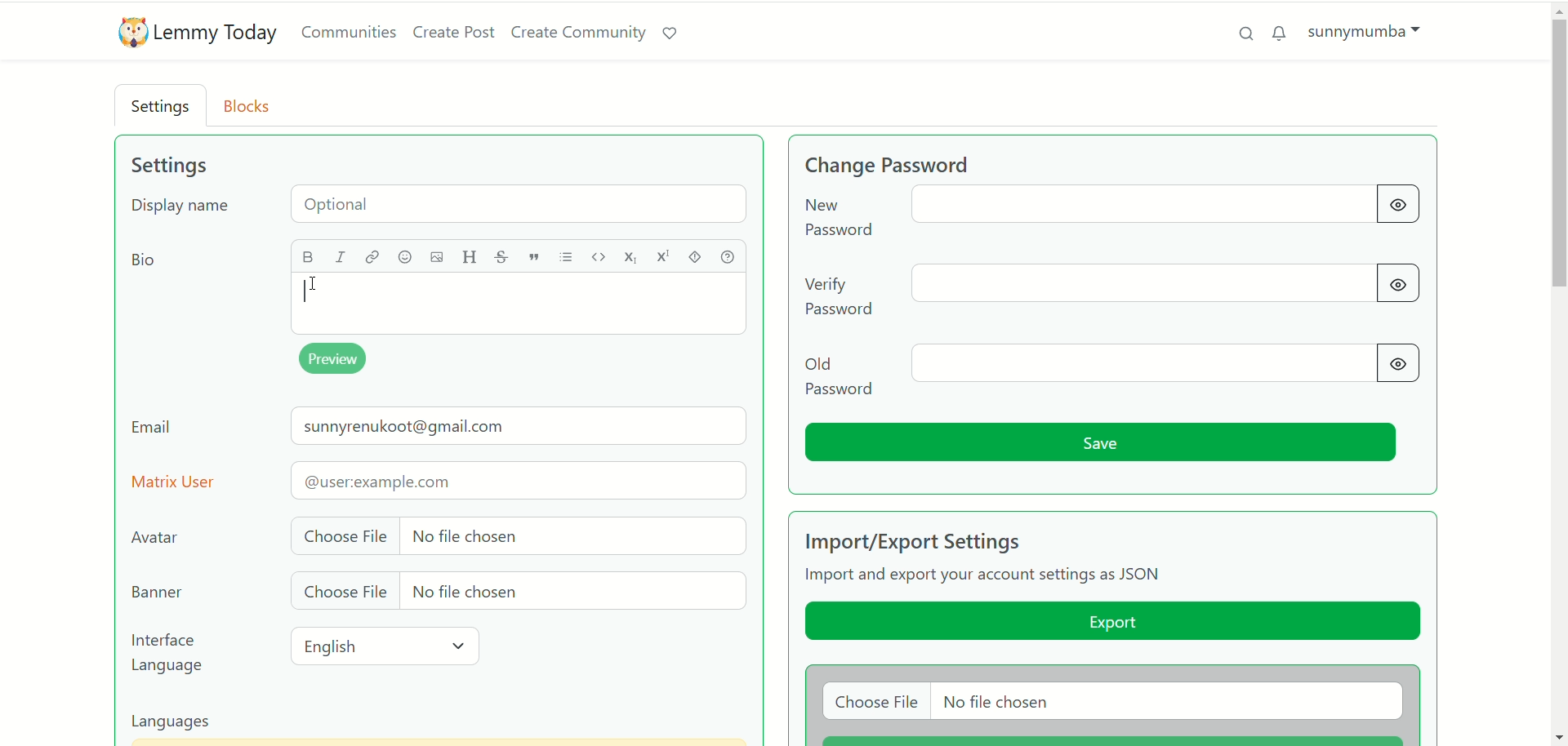 Image resolution: width=1568 pixels, height=746 pixels. I want to click on export, so click(1111, 624).